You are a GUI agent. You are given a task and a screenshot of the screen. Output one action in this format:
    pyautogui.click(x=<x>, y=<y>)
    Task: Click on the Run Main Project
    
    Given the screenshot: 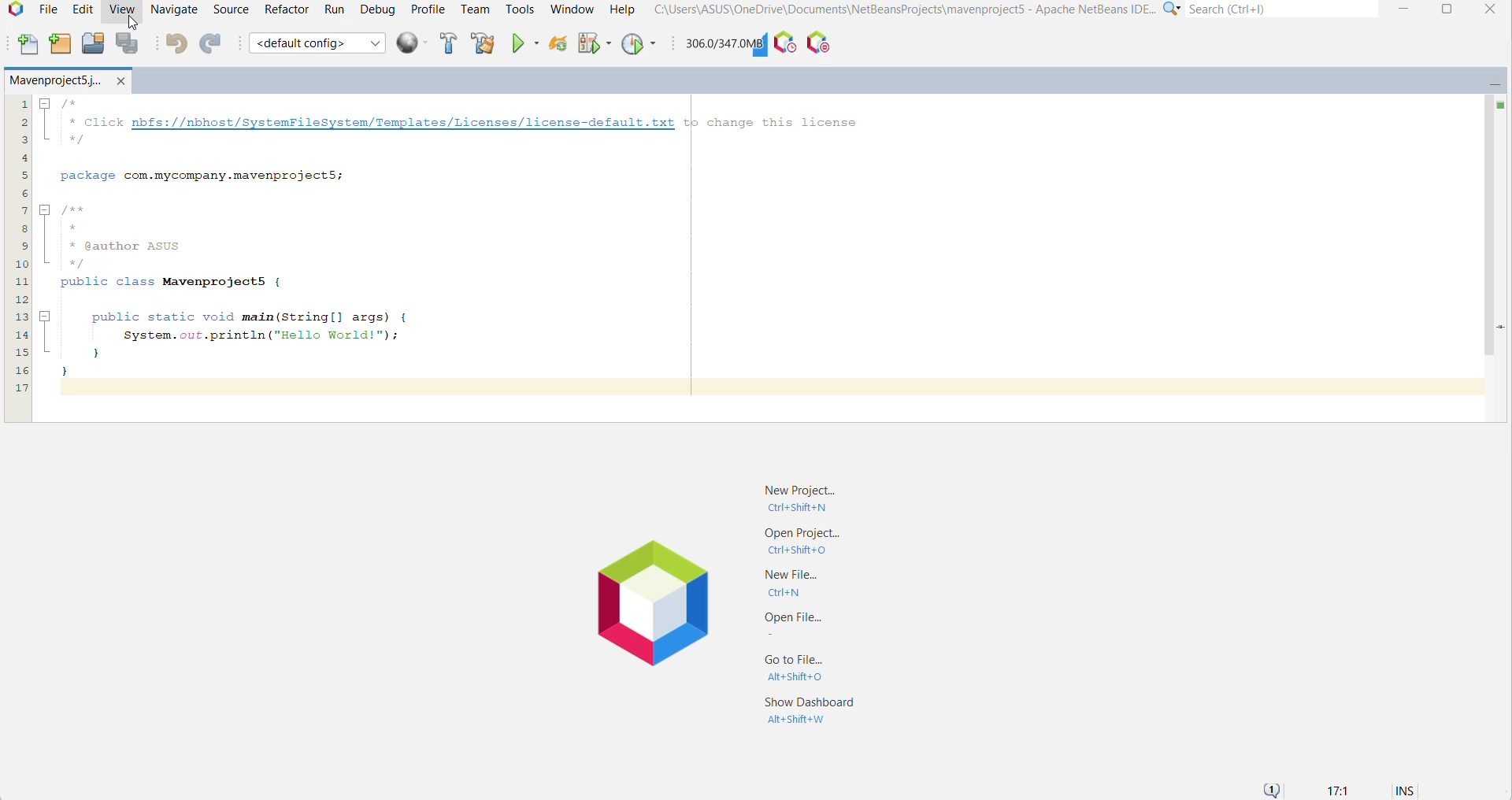 What is the action you would take?
    pyautogui.click(x=526, y=44)
    